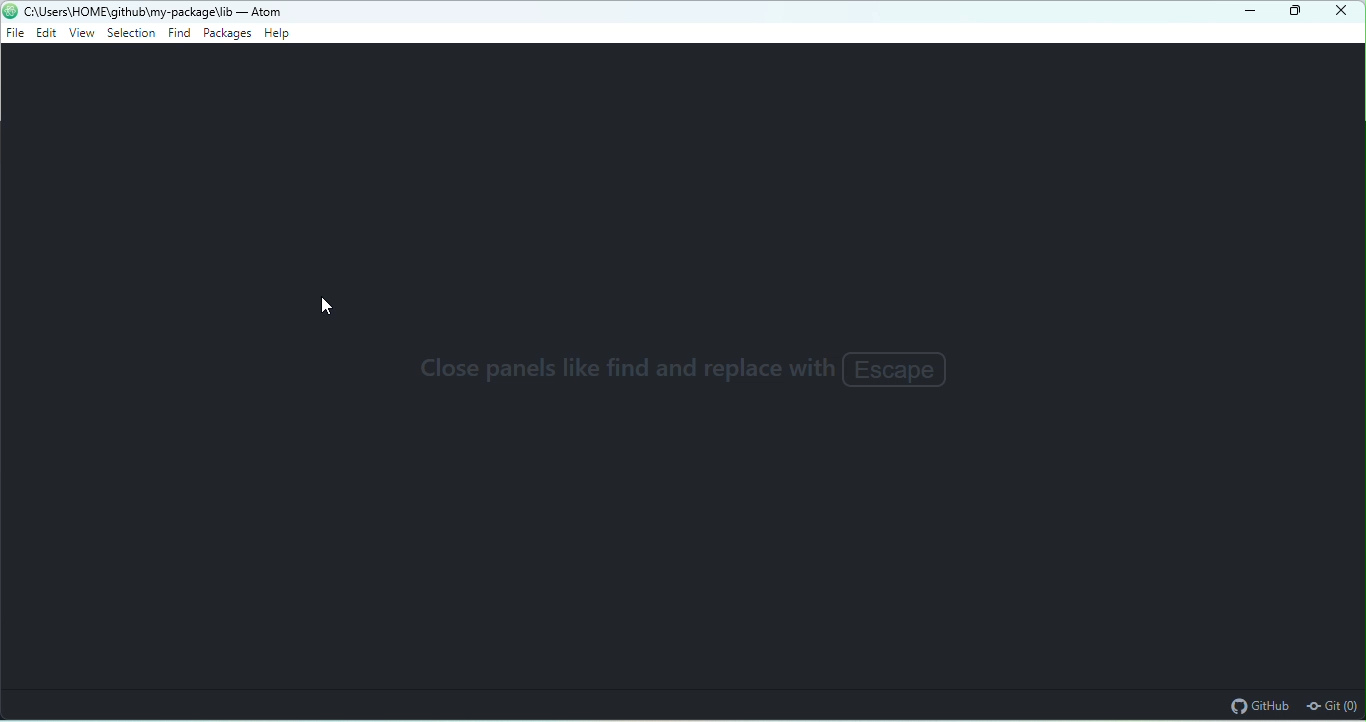 The image size is (1366, 722). Describe the element at coordinates (1260, 705) in the screenshot. I see `github` at that location.